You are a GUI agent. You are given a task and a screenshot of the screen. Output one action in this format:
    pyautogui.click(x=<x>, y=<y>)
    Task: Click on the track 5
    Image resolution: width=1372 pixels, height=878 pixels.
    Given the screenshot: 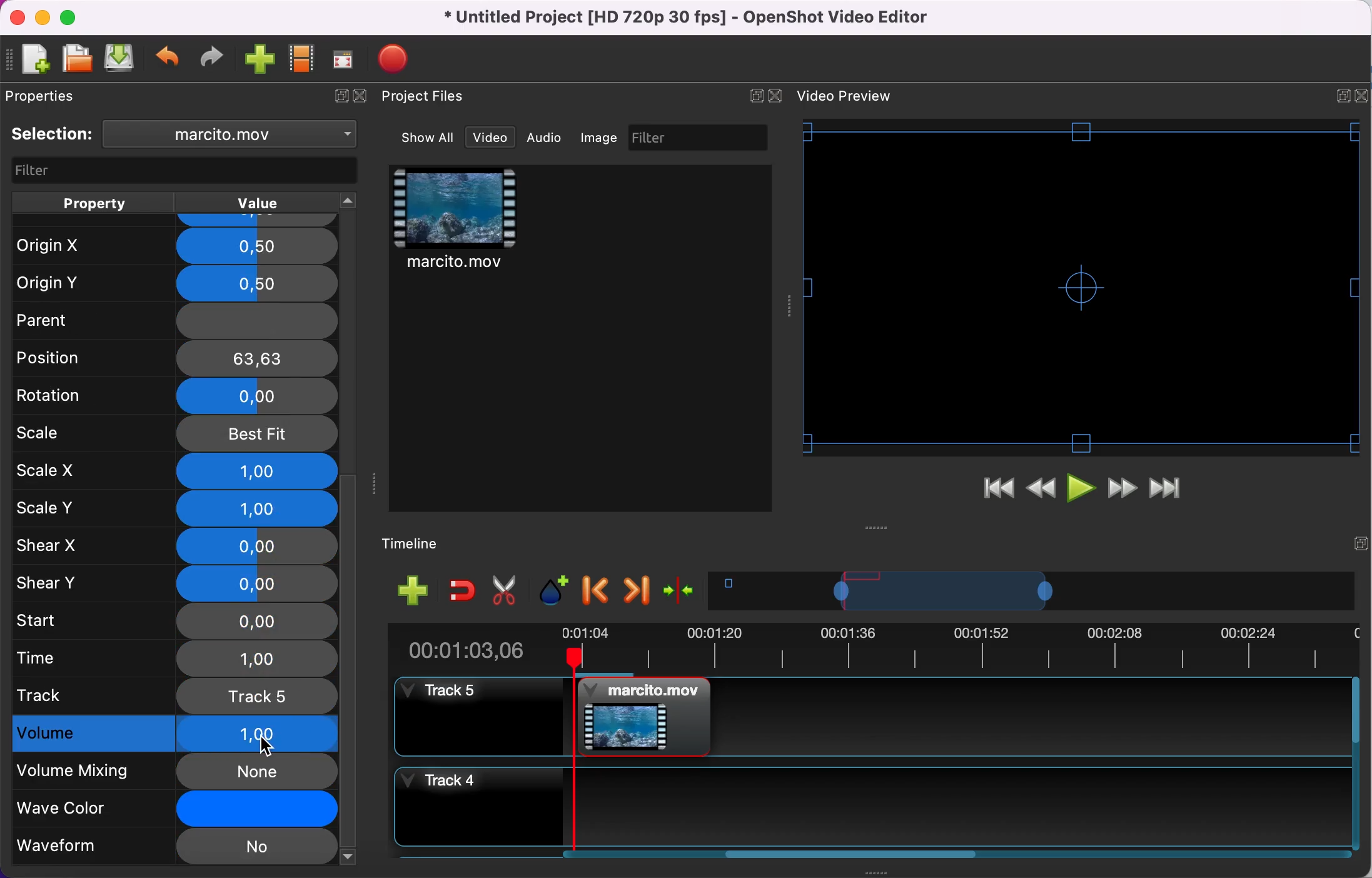 What is the action you would take?
    pyautogui.click(x=870, y=717)
    